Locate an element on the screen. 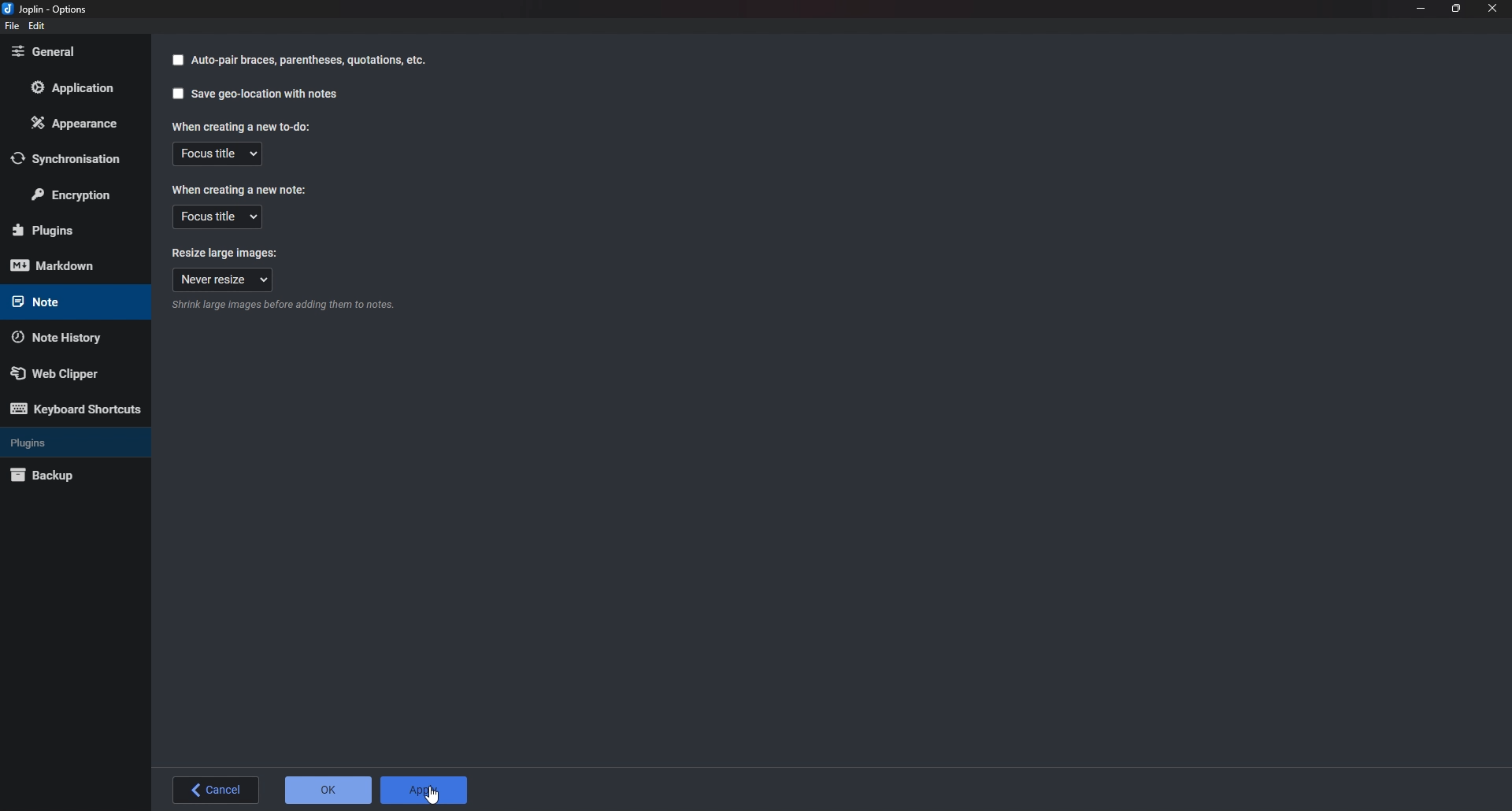 The width and height of the screenshot is (1512, 811). back is located at coordinates (214, 787).